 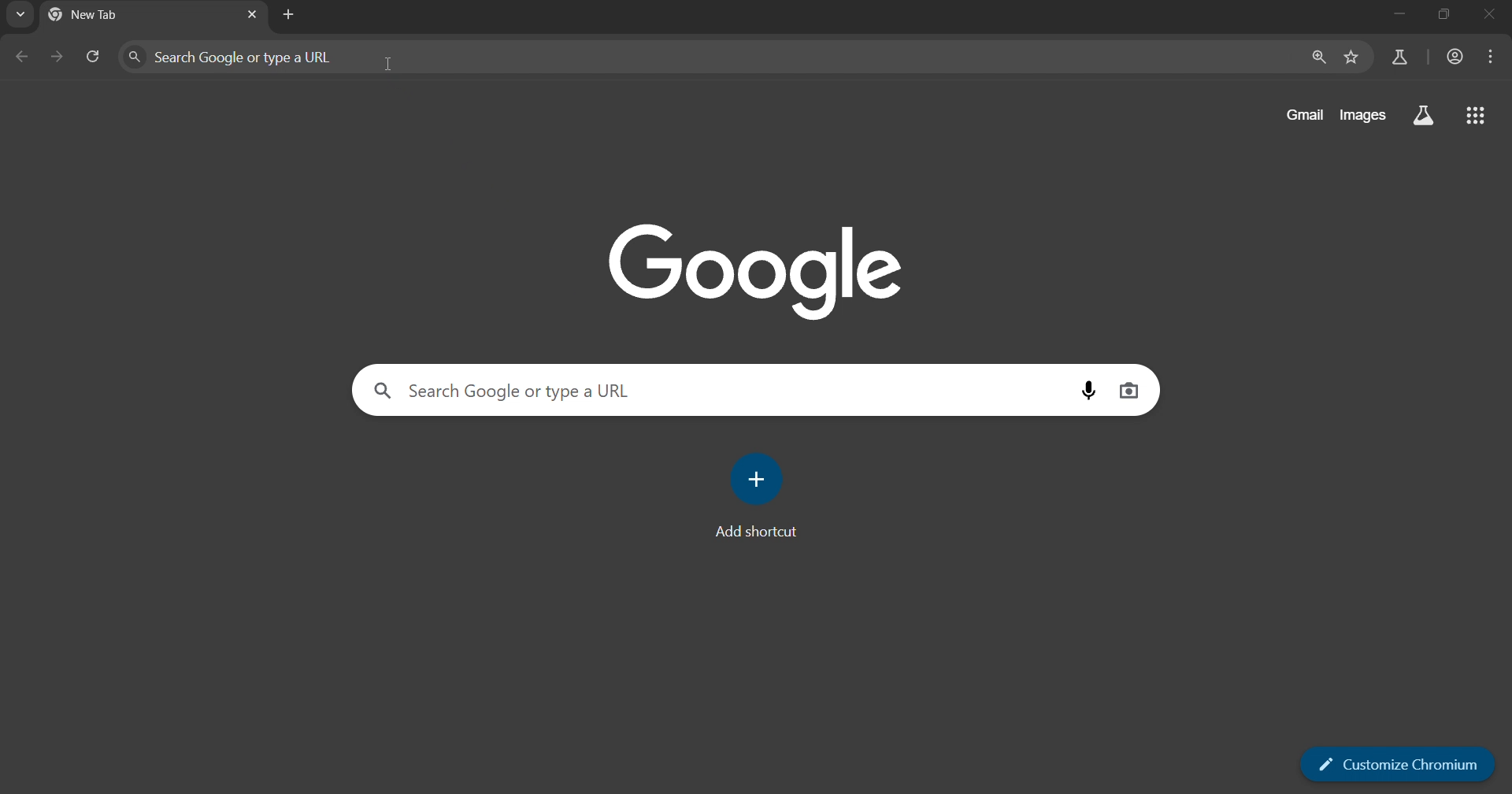 I want to click on cursor, so click(x=388, y=64).